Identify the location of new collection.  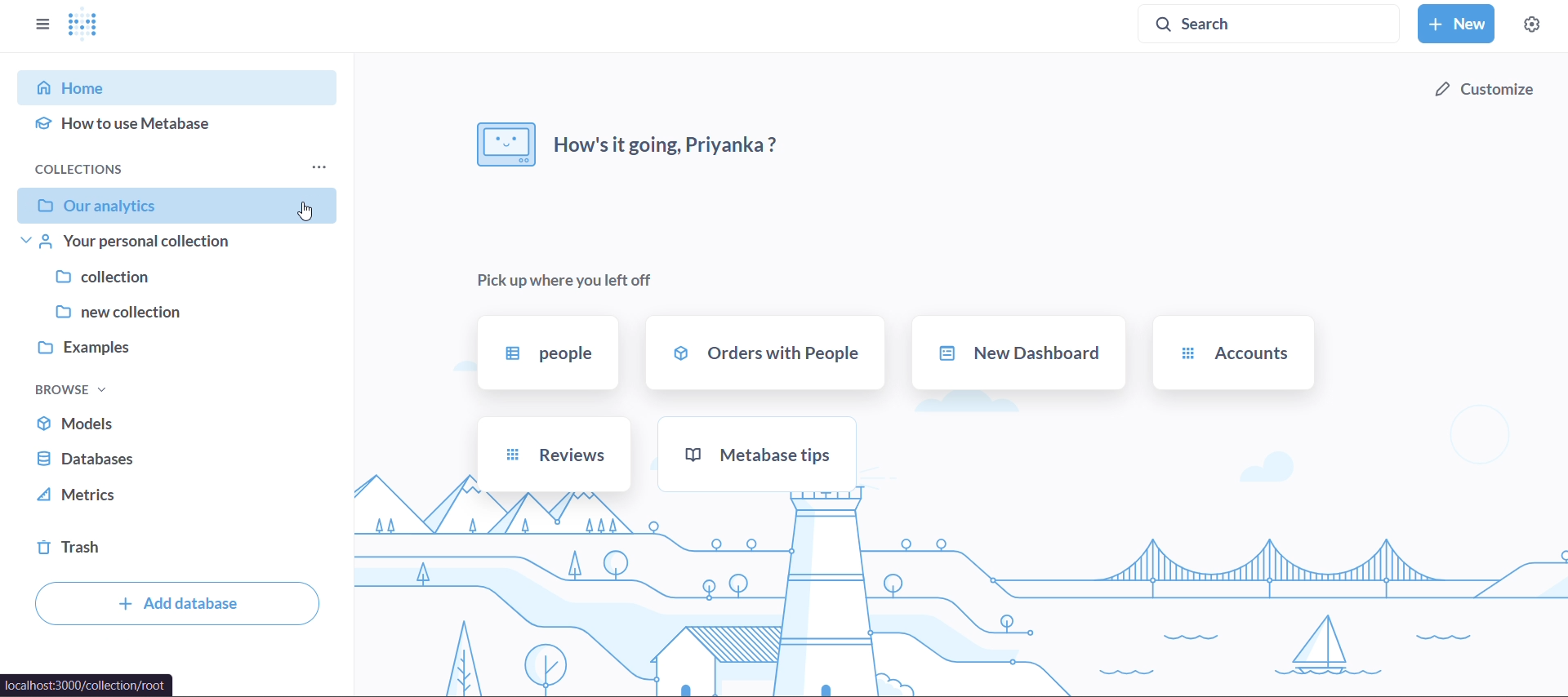
(170, 313).